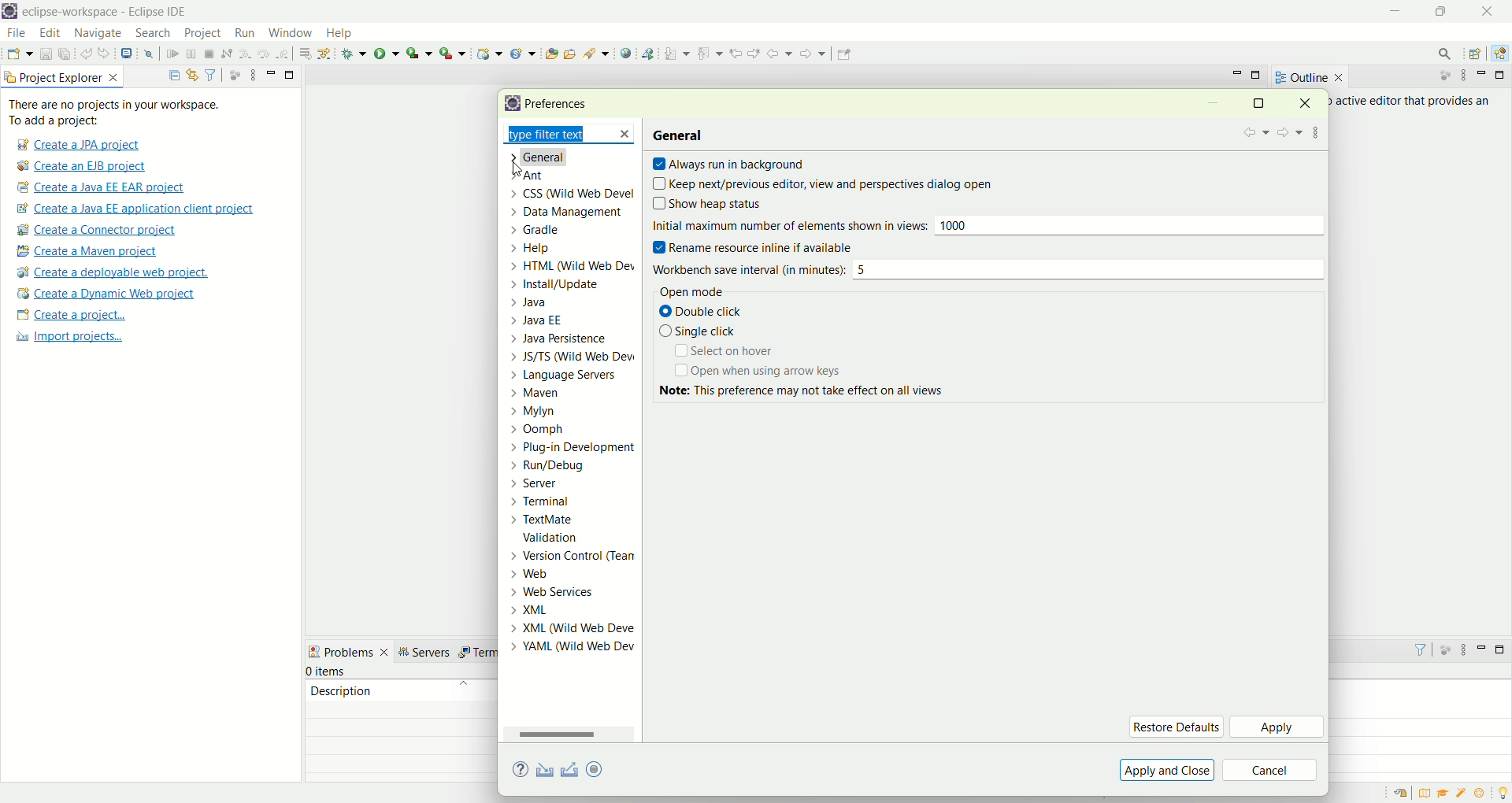 This screenshot has width=1512, height=803. Describe the element at coordinates (688, 293) in the screenshot. I see `open mode` at that location.